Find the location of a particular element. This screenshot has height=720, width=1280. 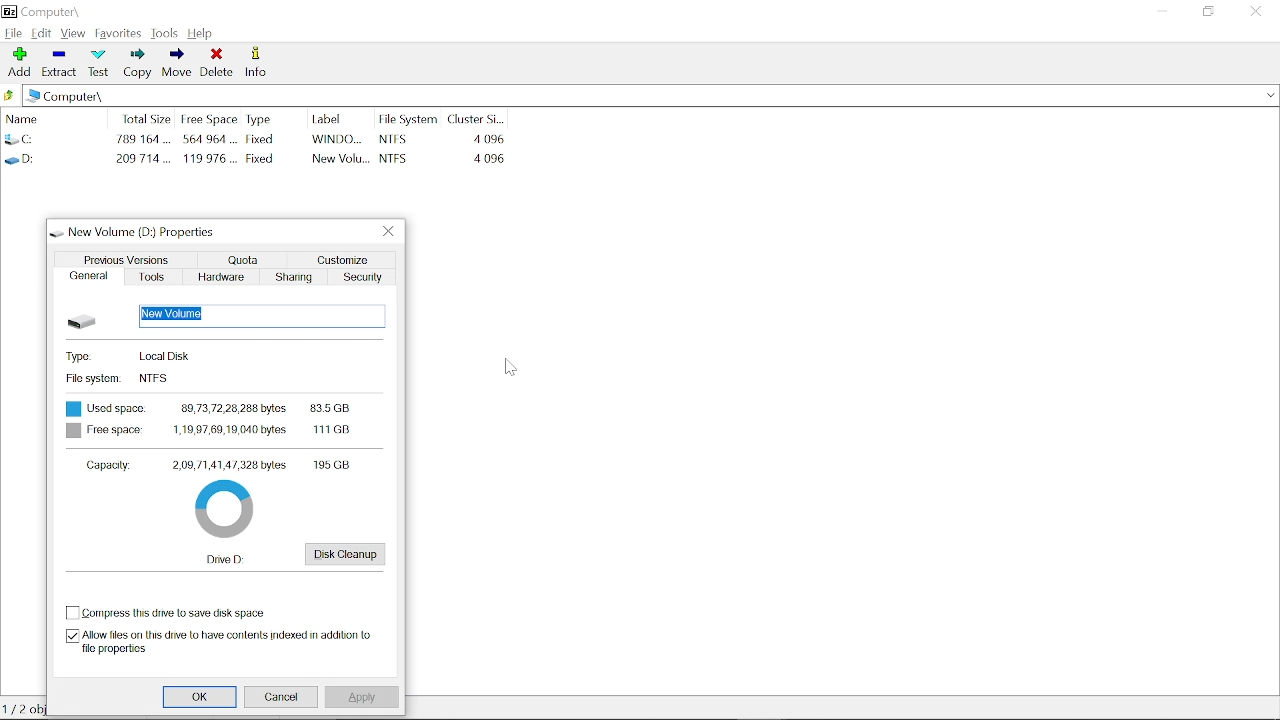

compress this drive to save disk space is located at coordinates (177, 612).